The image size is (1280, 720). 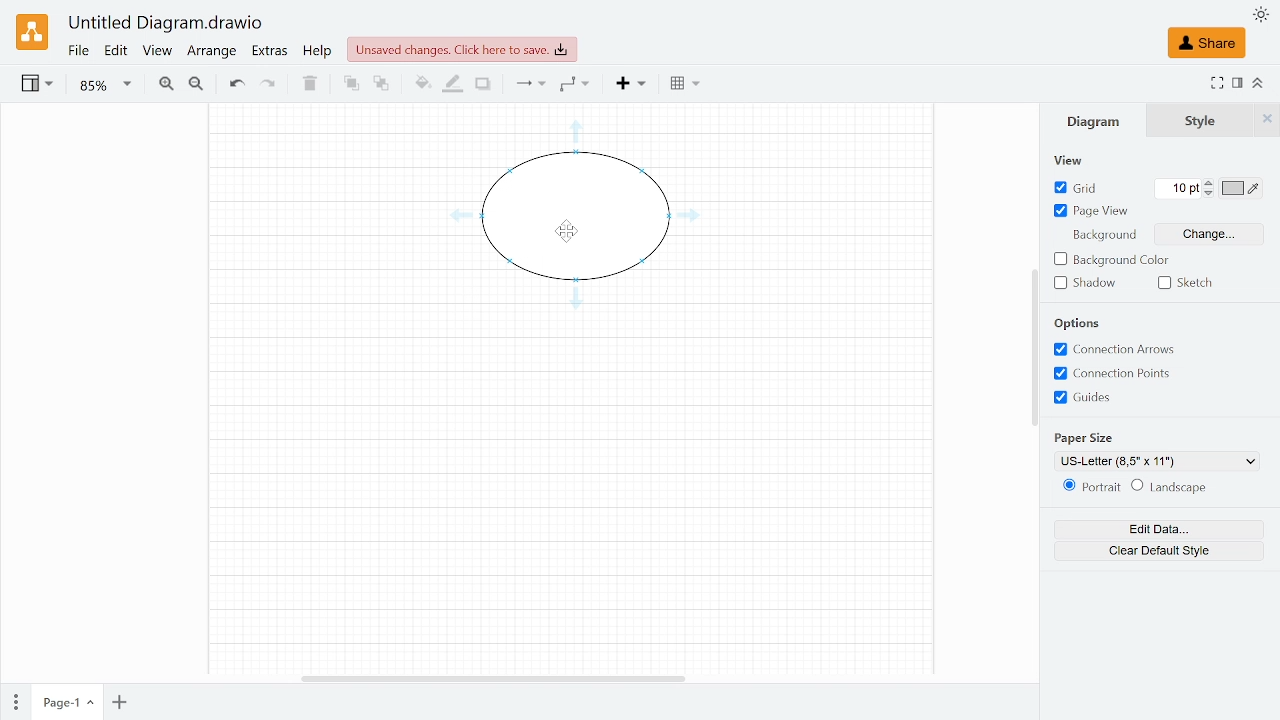 I want to click on Unsaved changes. Click here to save, so click(x=457, y=49).